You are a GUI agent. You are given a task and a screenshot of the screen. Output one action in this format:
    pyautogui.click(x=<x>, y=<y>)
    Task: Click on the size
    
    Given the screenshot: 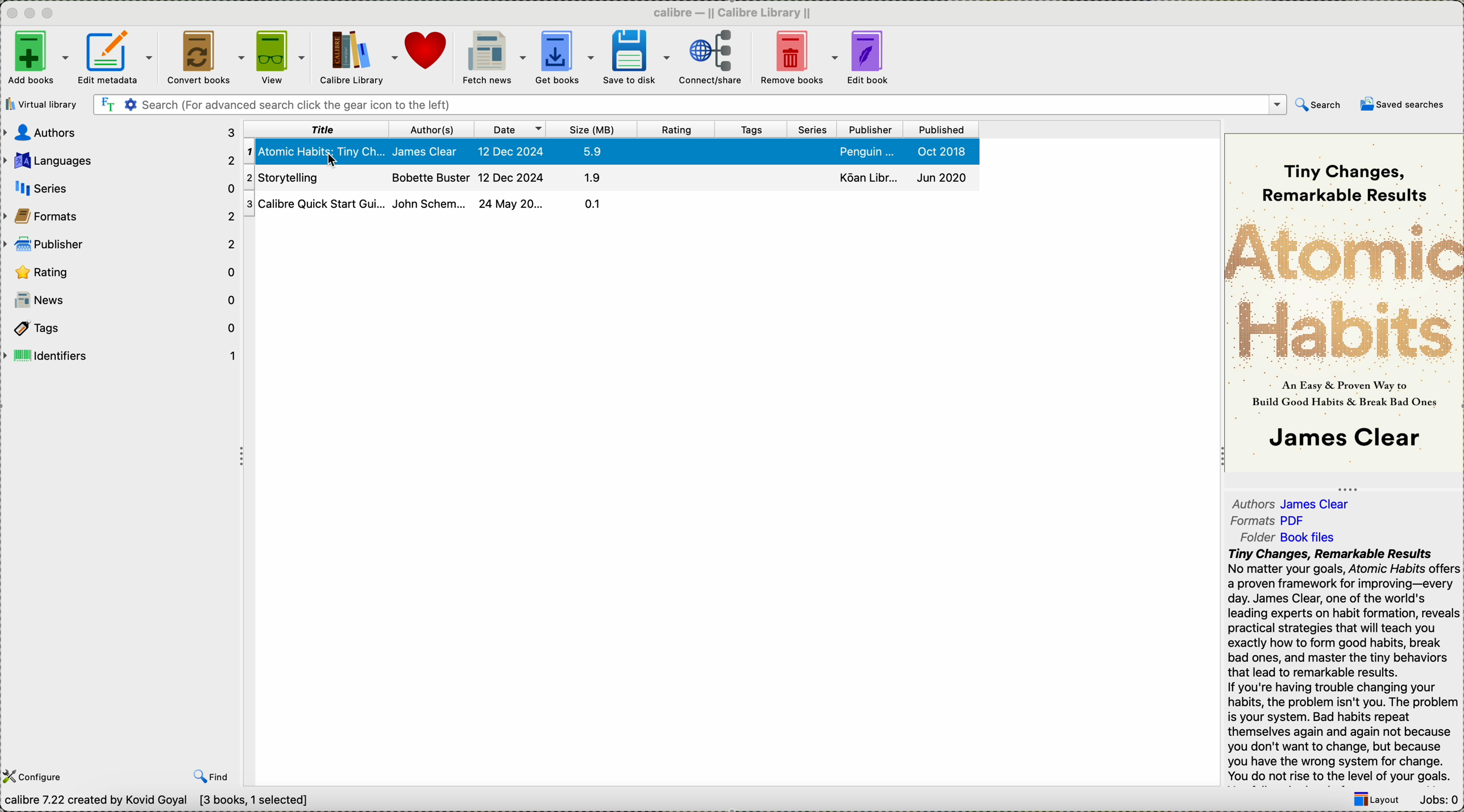 What is the action you would take?
    pyautogui.click(x=593, y=130)
    